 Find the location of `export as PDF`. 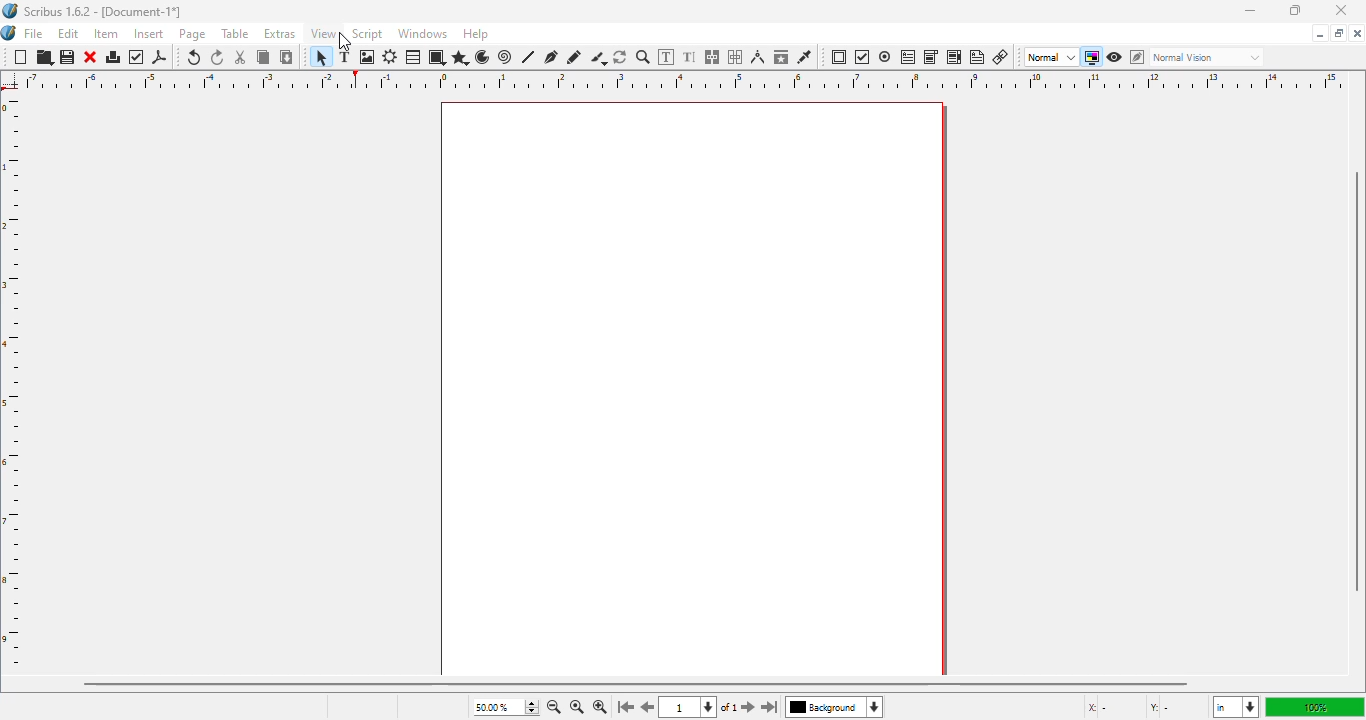

export as PDF is located at coordinates (160, 57).